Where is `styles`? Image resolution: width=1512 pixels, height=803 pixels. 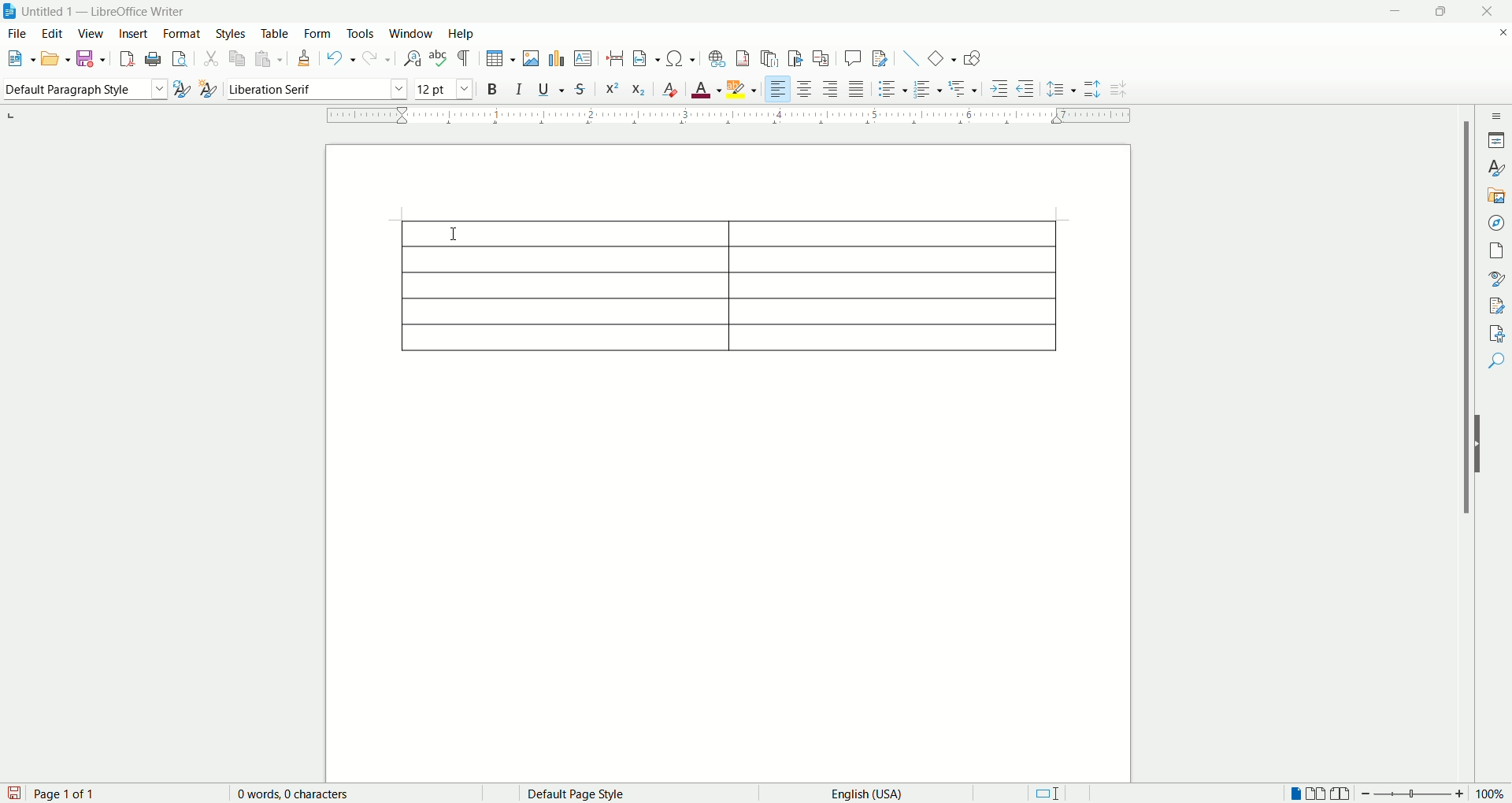 styles is located at coordinates (233, 34).